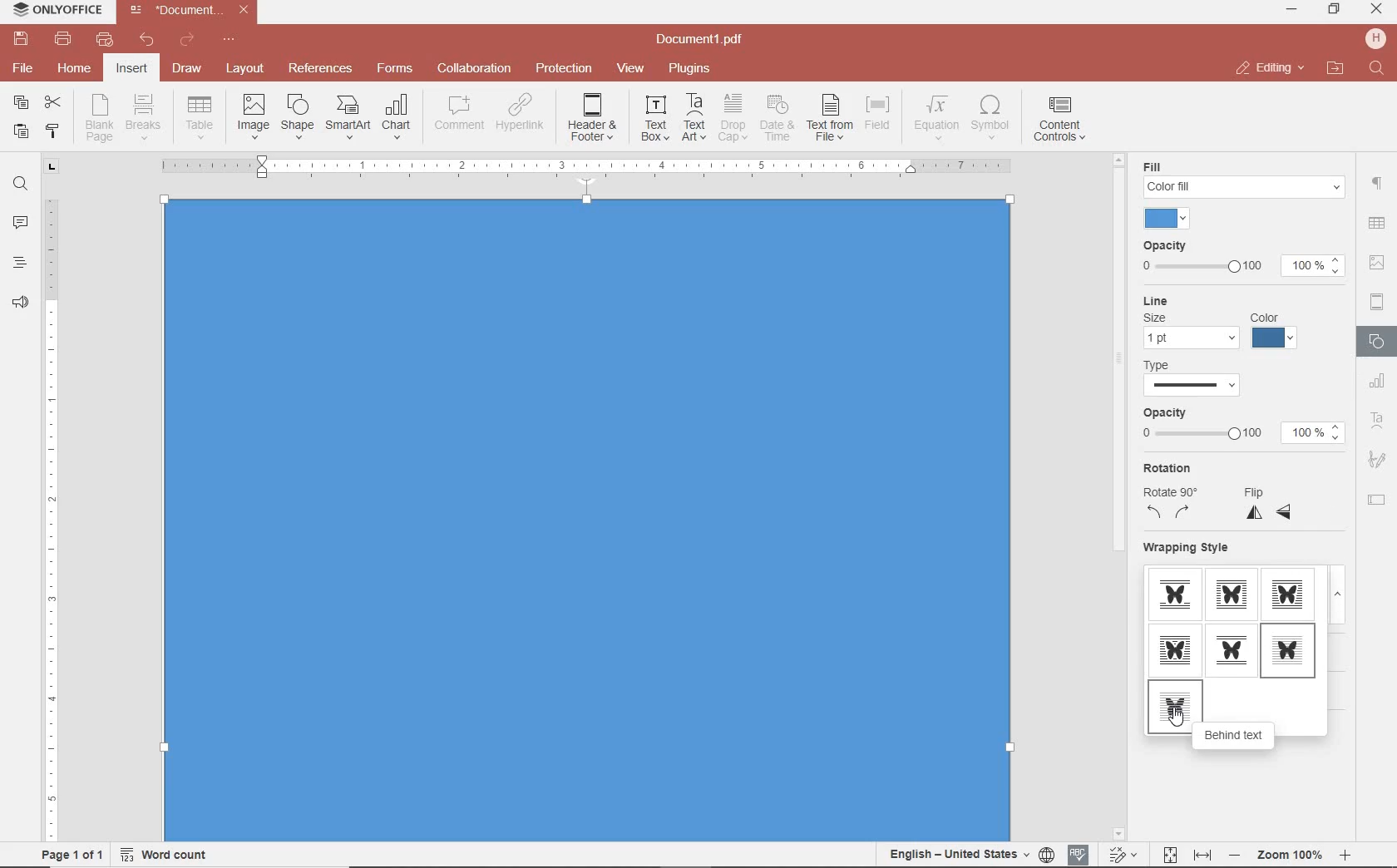  Describe the element at coordinates (19, 131) in the screenshot. I see `paste` at that location.